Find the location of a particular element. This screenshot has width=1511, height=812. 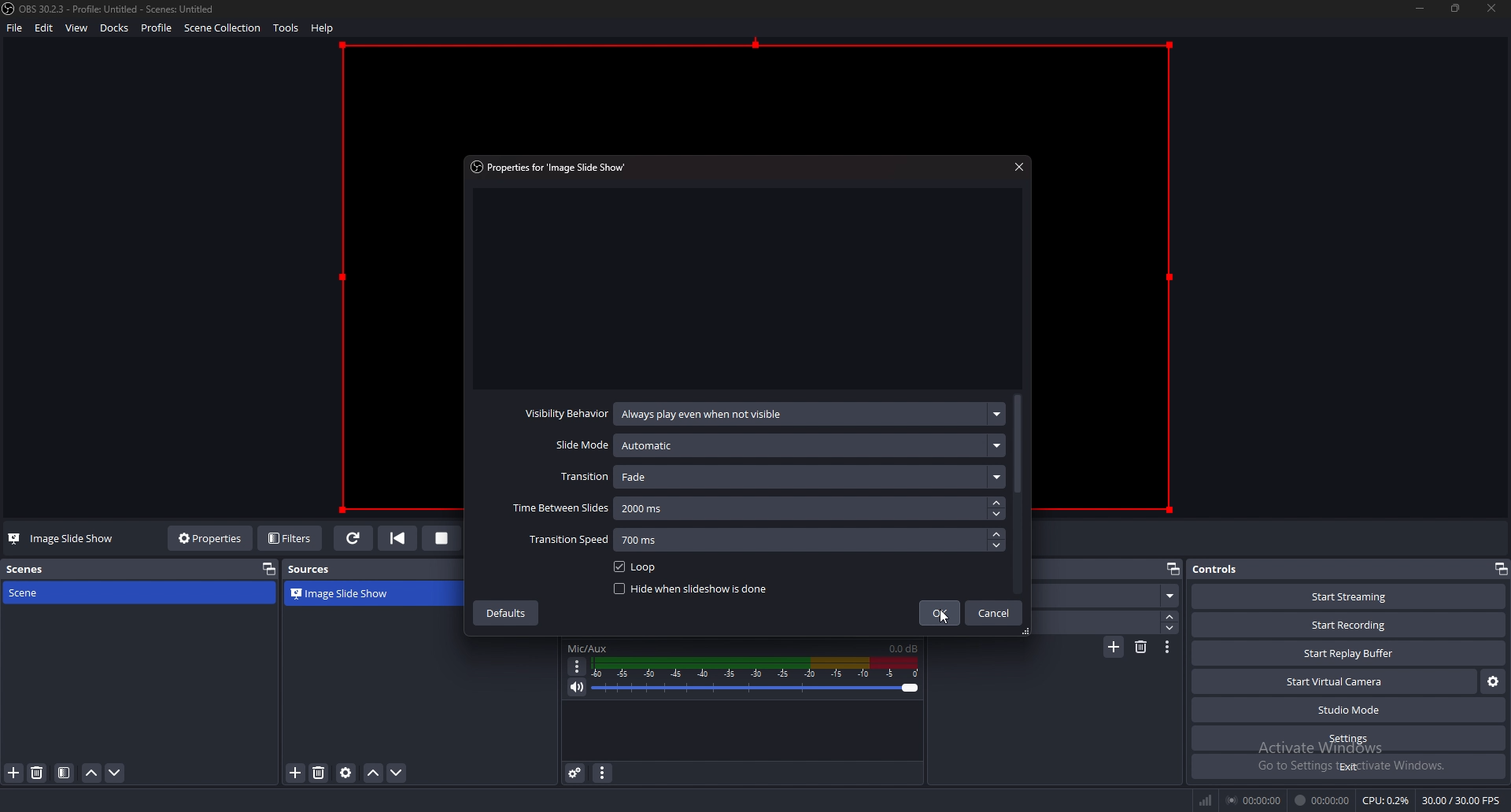

options is located at coordinates (578, 666).